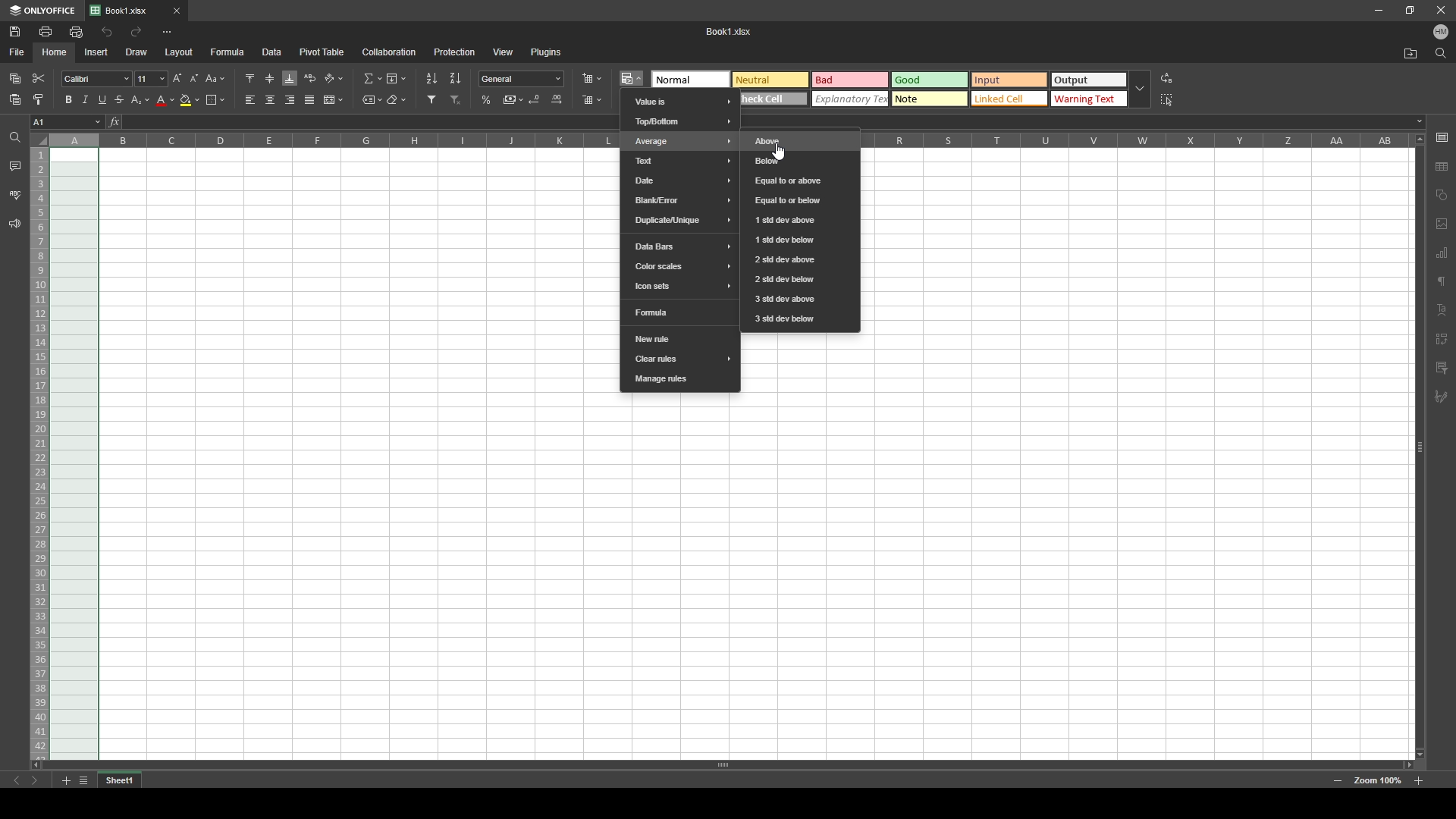 The height and width of the screenshot is (819, 1456). What do you see at coordinates (310, 100) in the screenshot?
I see `justified` at bounding box center [310, 100].